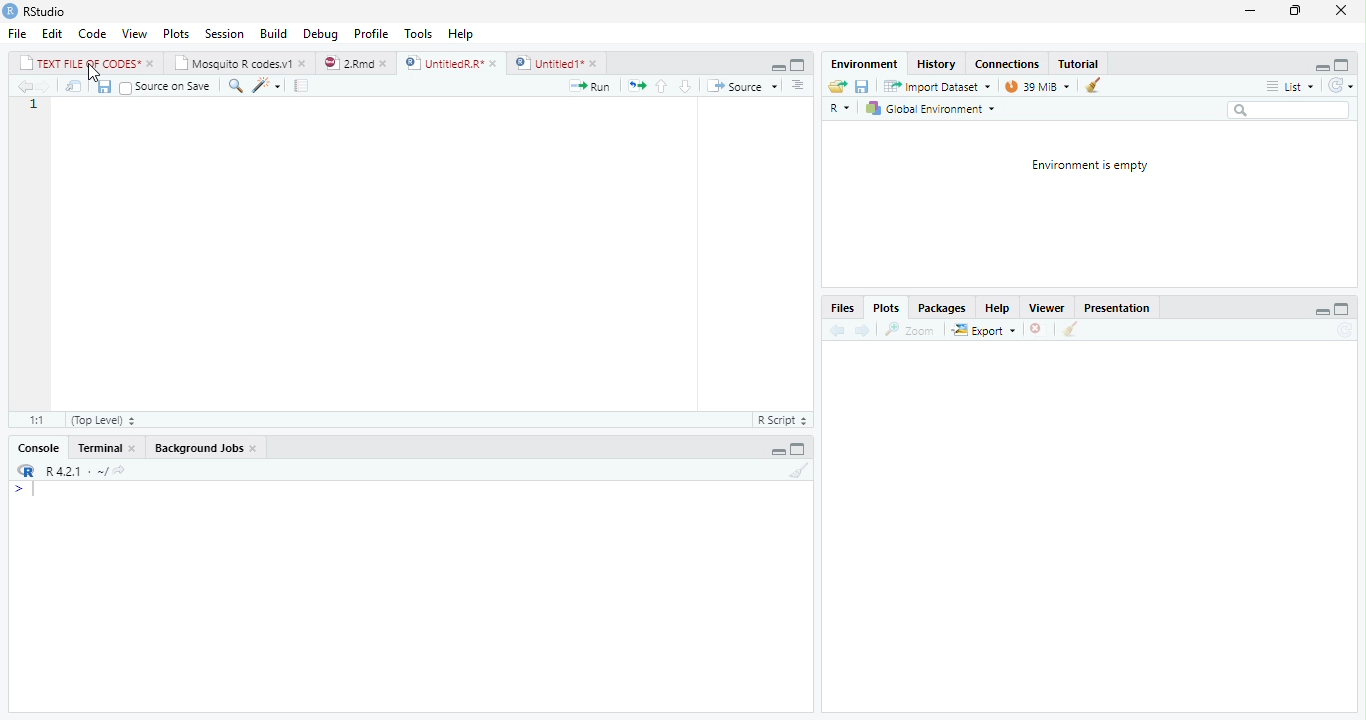 The image size is (1366, 720). Describe the element at coordinates (241, 63) in the screenshot. I see `Mosquito R codes1` at that location.